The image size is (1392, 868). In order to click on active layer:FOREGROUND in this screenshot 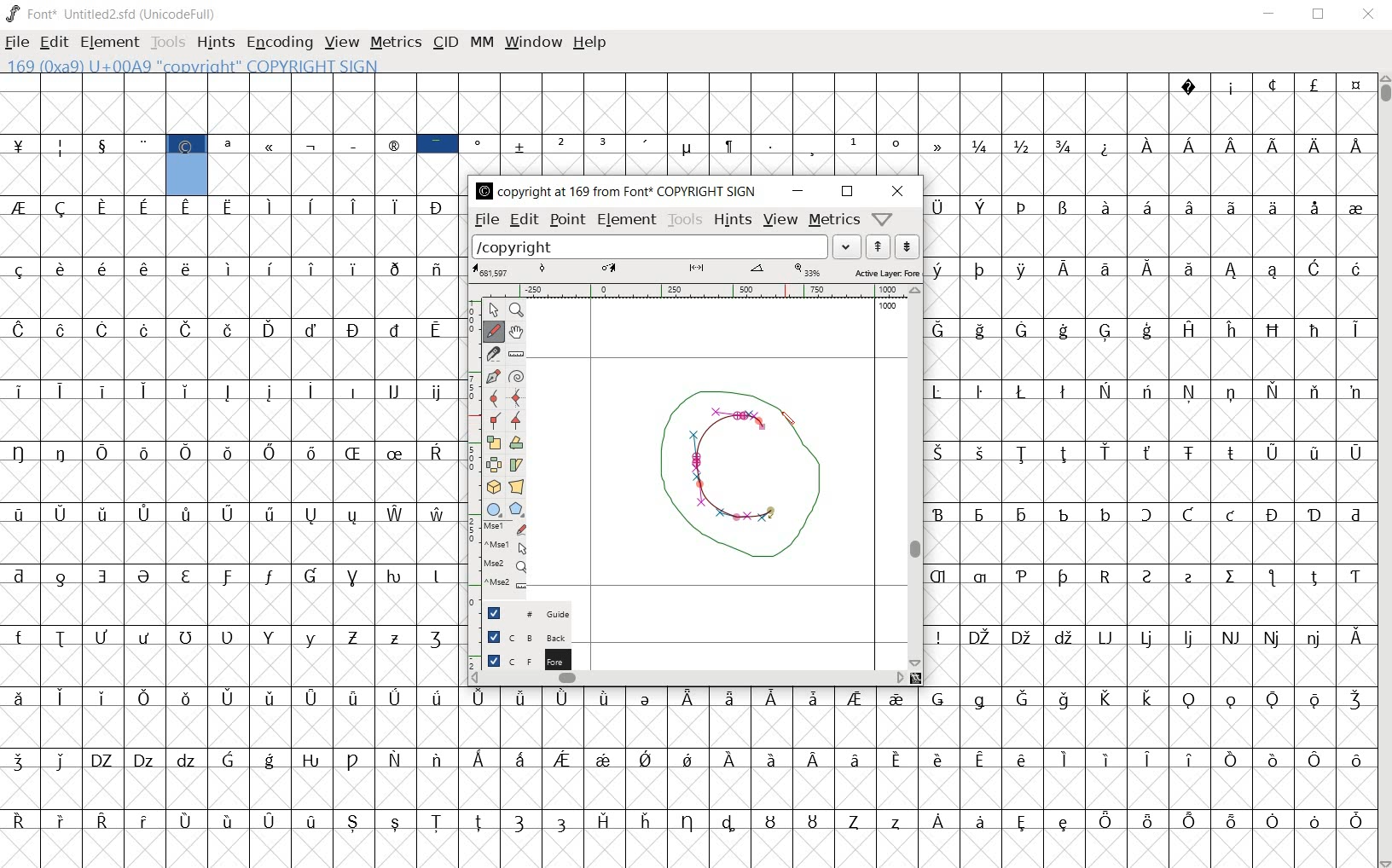, I will do `click(695, 271)`.